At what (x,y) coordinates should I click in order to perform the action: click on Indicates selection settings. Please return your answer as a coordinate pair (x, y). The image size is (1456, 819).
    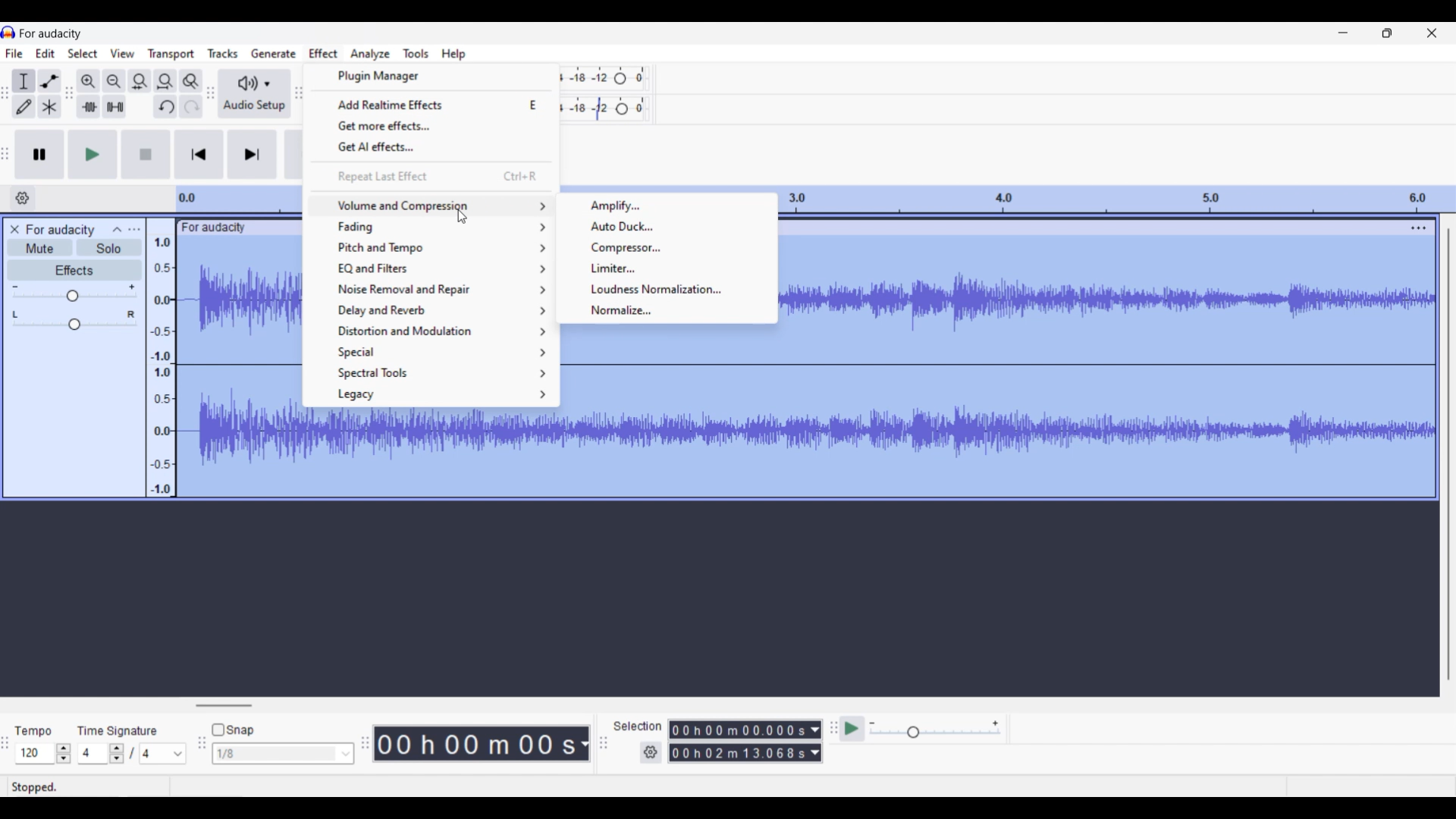
    Looking at the image, I should click on (637, 725).